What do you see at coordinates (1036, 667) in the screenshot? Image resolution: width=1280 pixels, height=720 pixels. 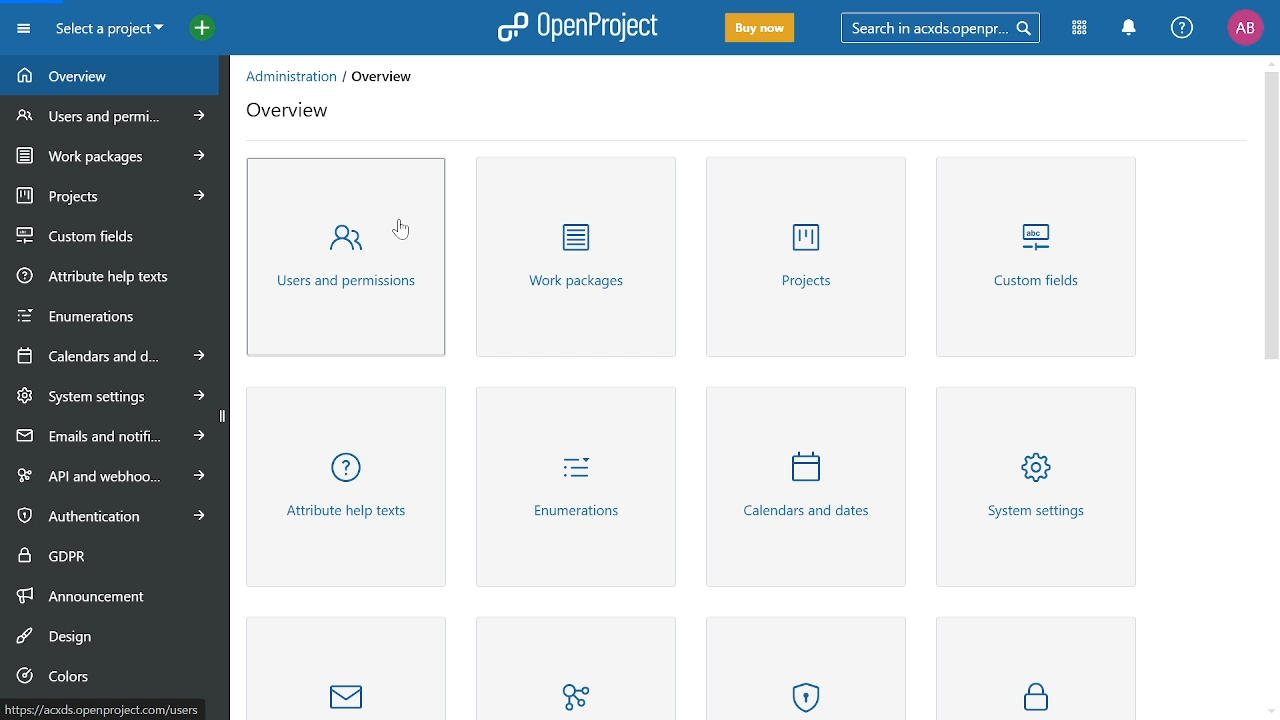 I see `GDPR` at bounding box center [1036, 667].